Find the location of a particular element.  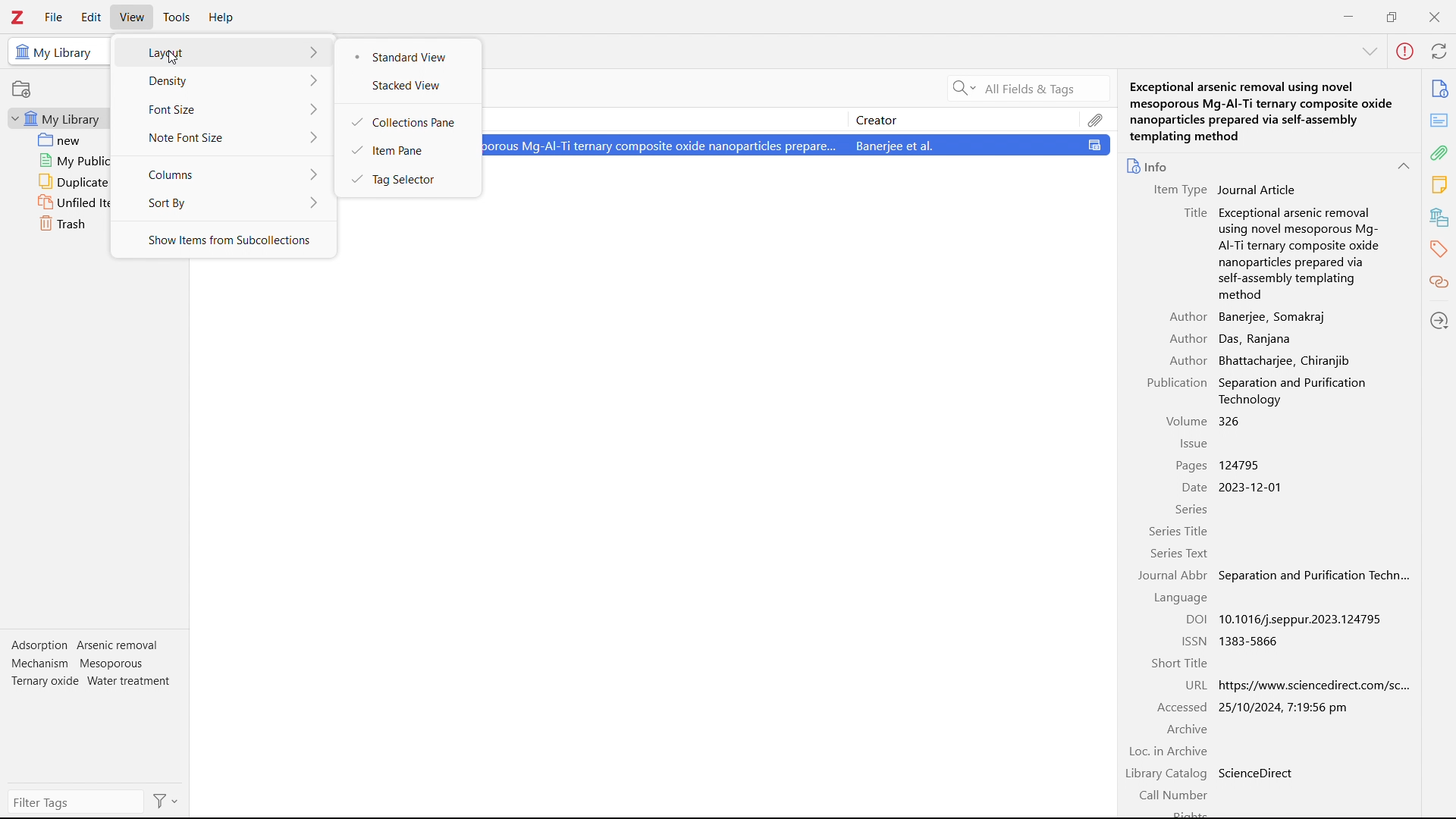

item pane is located at coordinates (406, 149).